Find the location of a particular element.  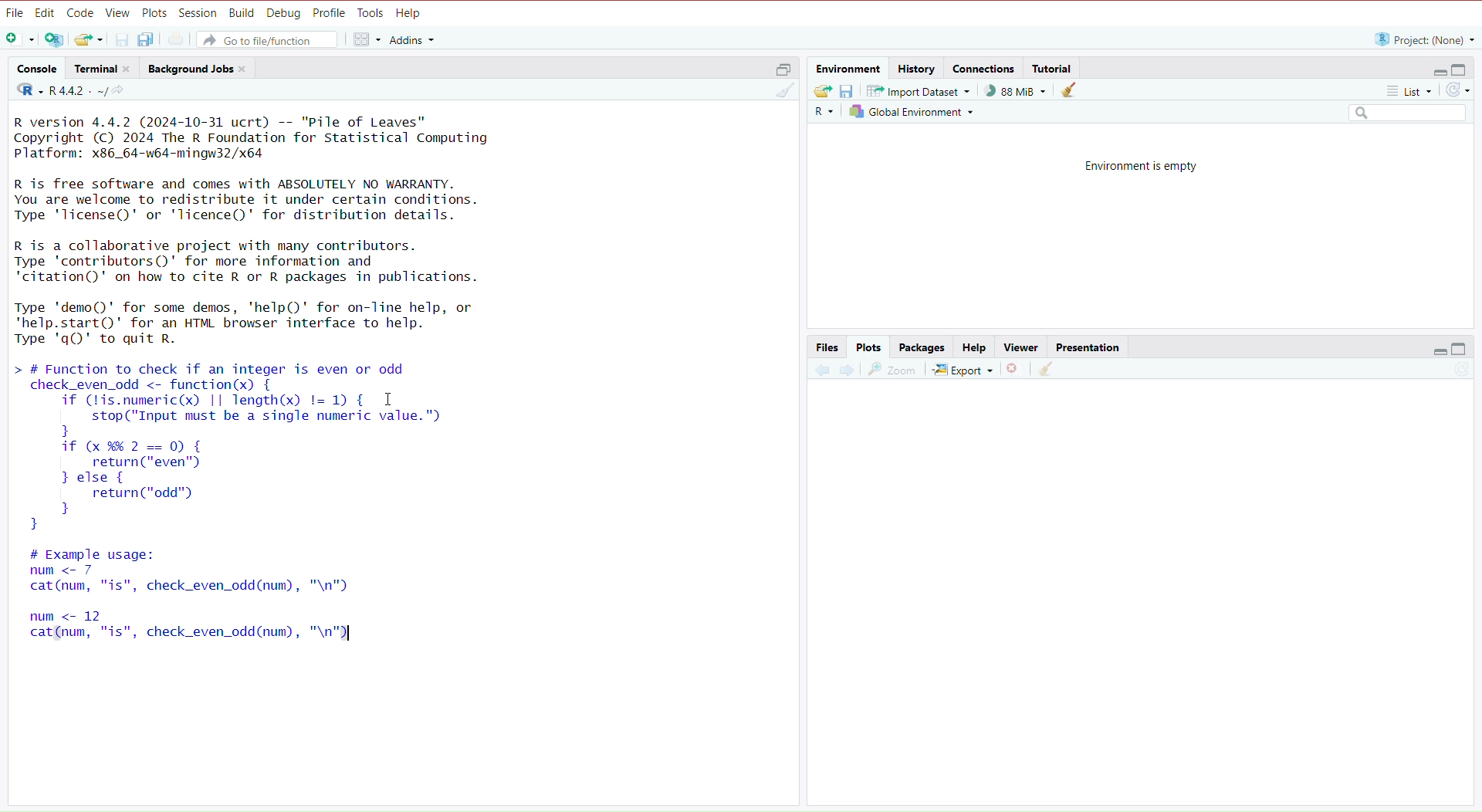

import dataset is located at coordinates (923, 90).